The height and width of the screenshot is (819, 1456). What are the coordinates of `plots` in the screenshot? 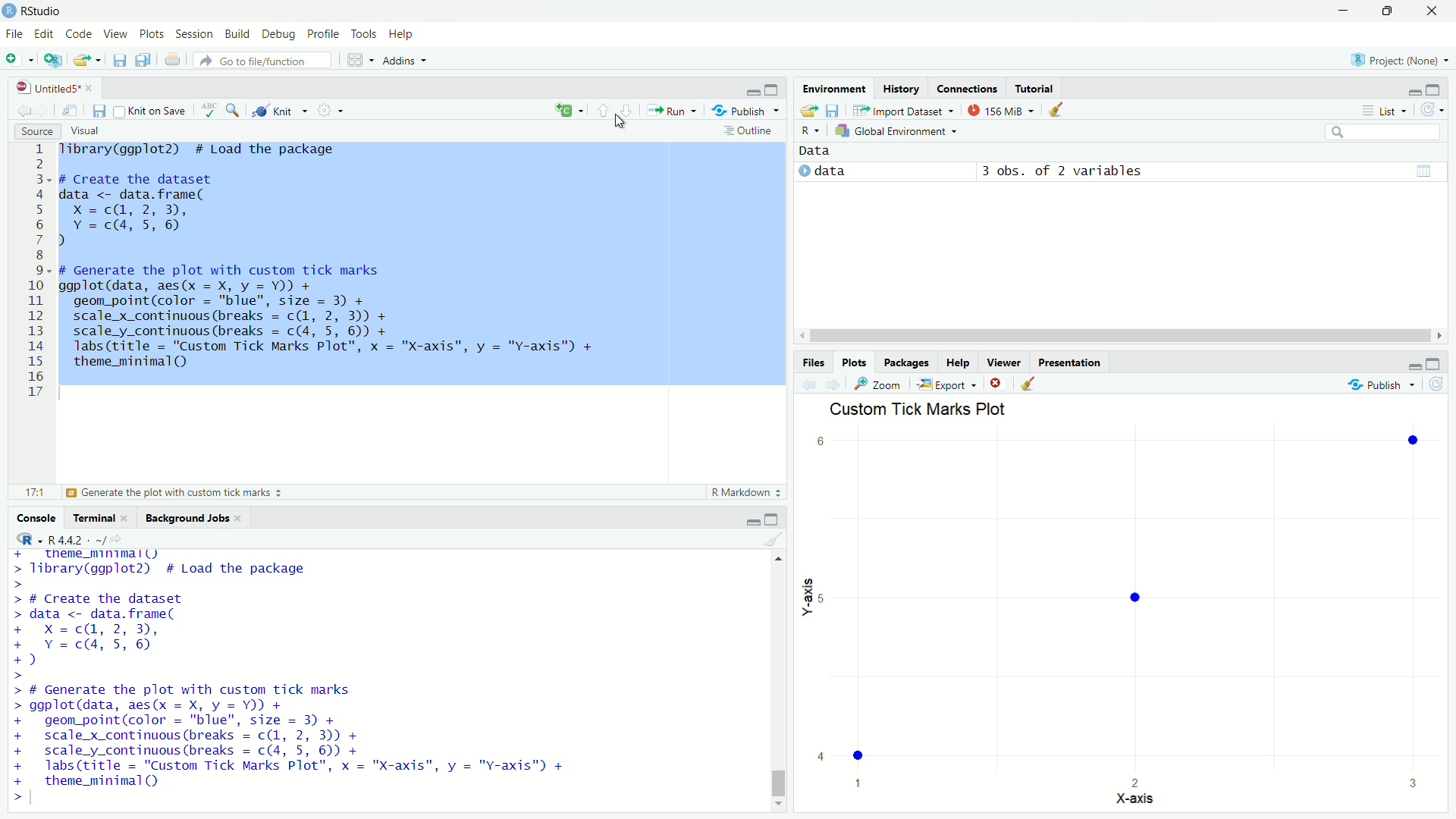 It's located at (152, 36).